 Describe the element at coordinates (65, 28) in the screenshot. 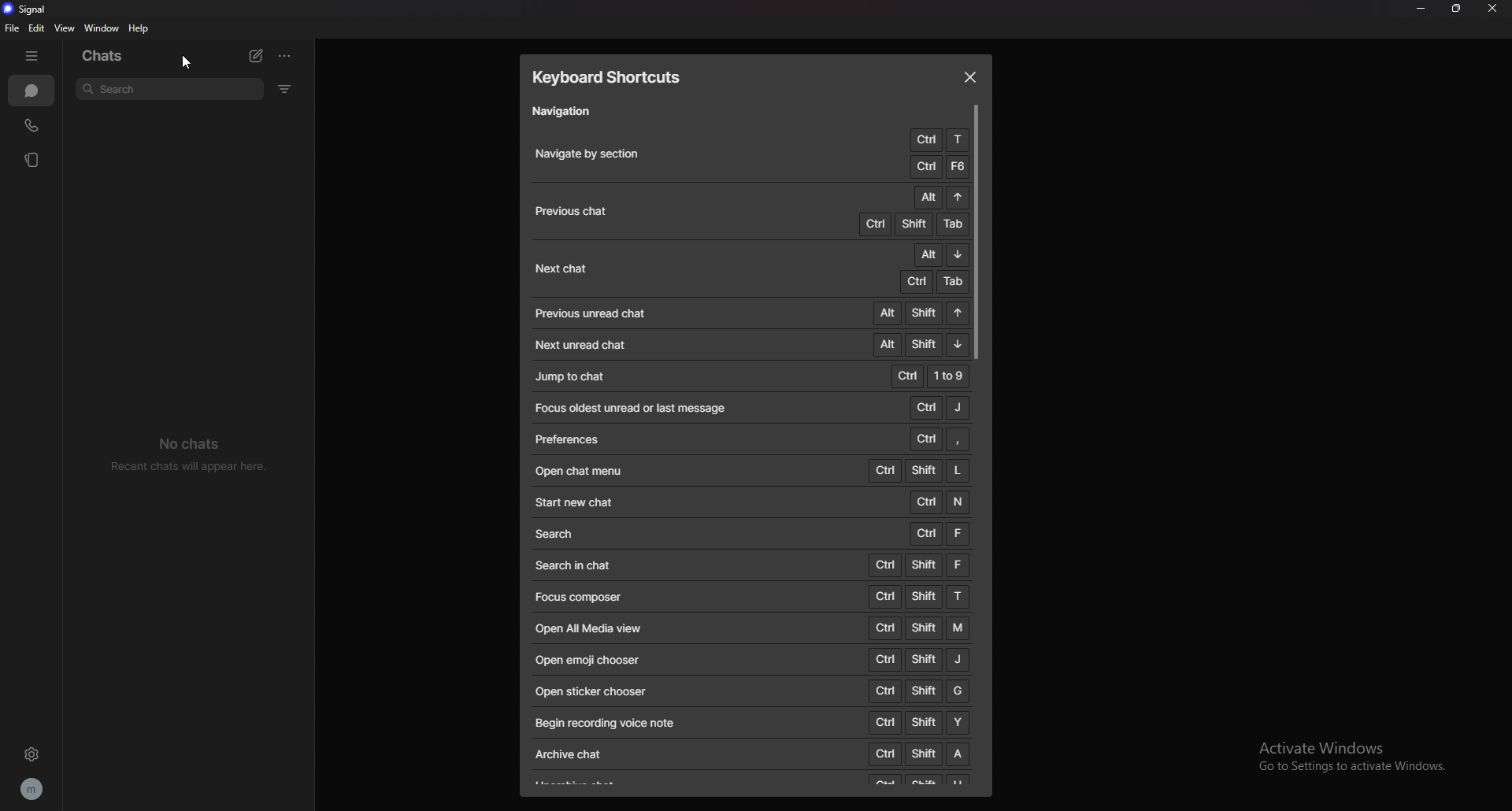

I see `view` at that location.